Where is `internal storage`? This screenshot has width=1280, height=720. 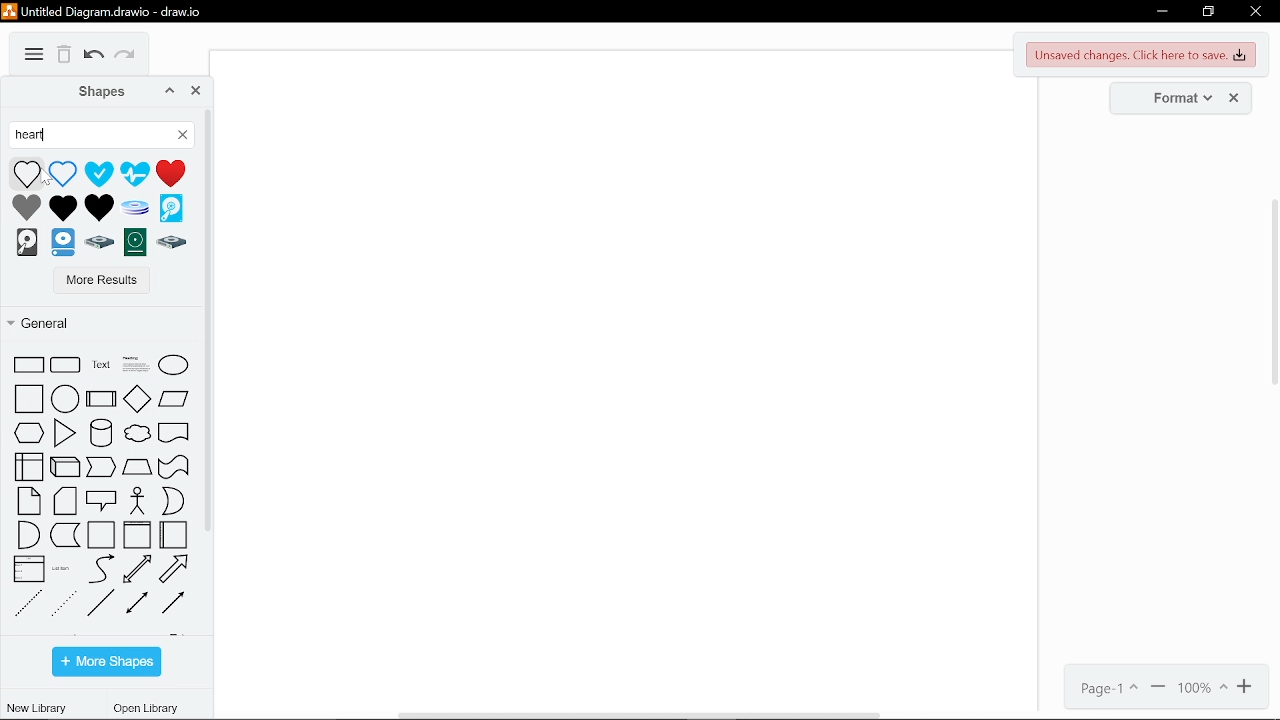 internal storage is located at coordinates (28, 466).